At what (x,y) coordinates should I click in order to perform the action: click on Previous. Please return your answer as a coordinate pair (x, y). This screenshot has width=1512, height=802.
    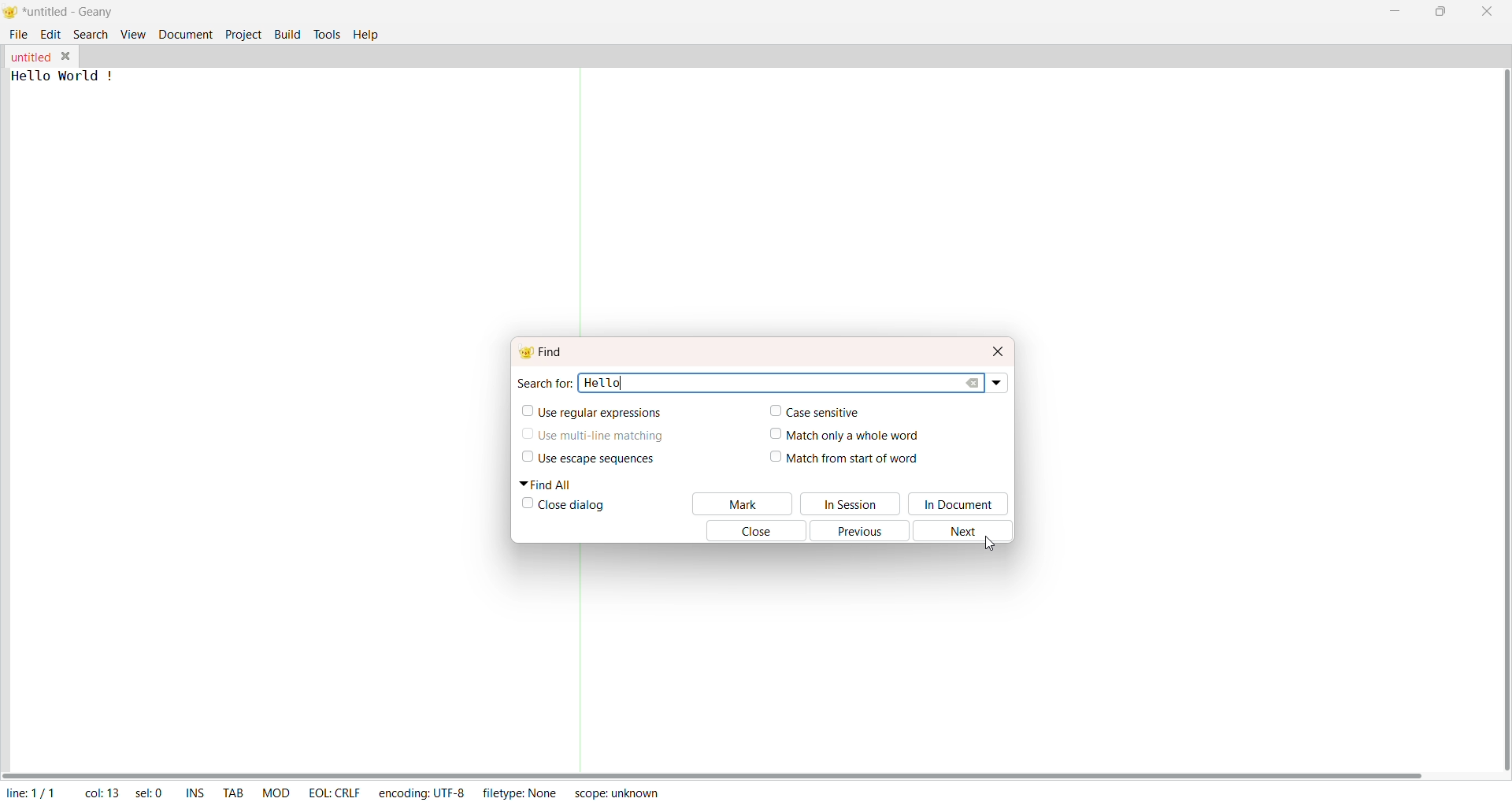
    Looking at the image, I should click on (865, 533).